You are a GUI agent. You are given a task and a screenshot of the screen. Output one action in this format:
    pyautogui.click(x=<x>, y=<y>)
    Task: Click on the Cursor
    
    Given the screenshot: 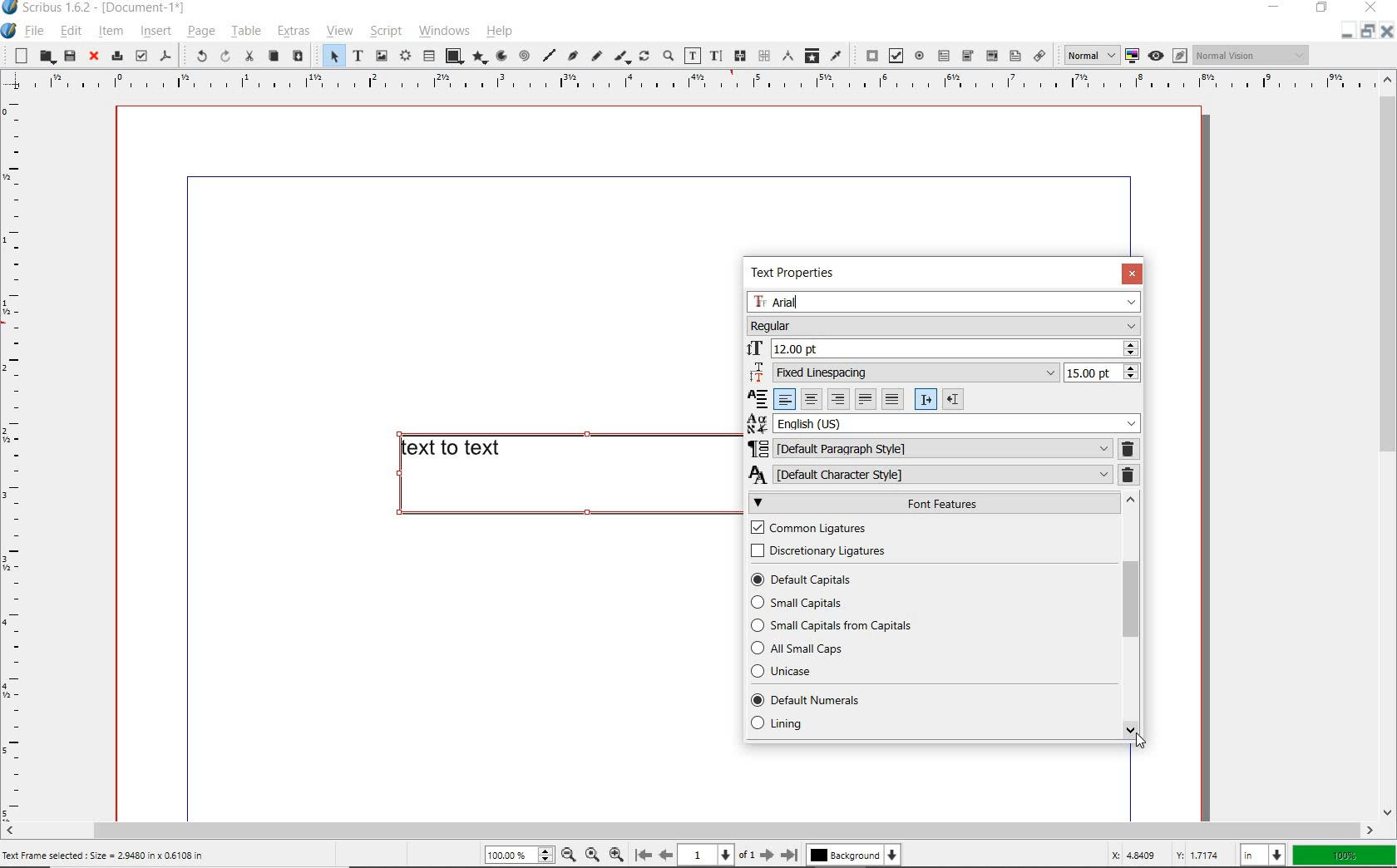 What is the action you would take?
    pyautogui.click(x=1138, y=743)
    